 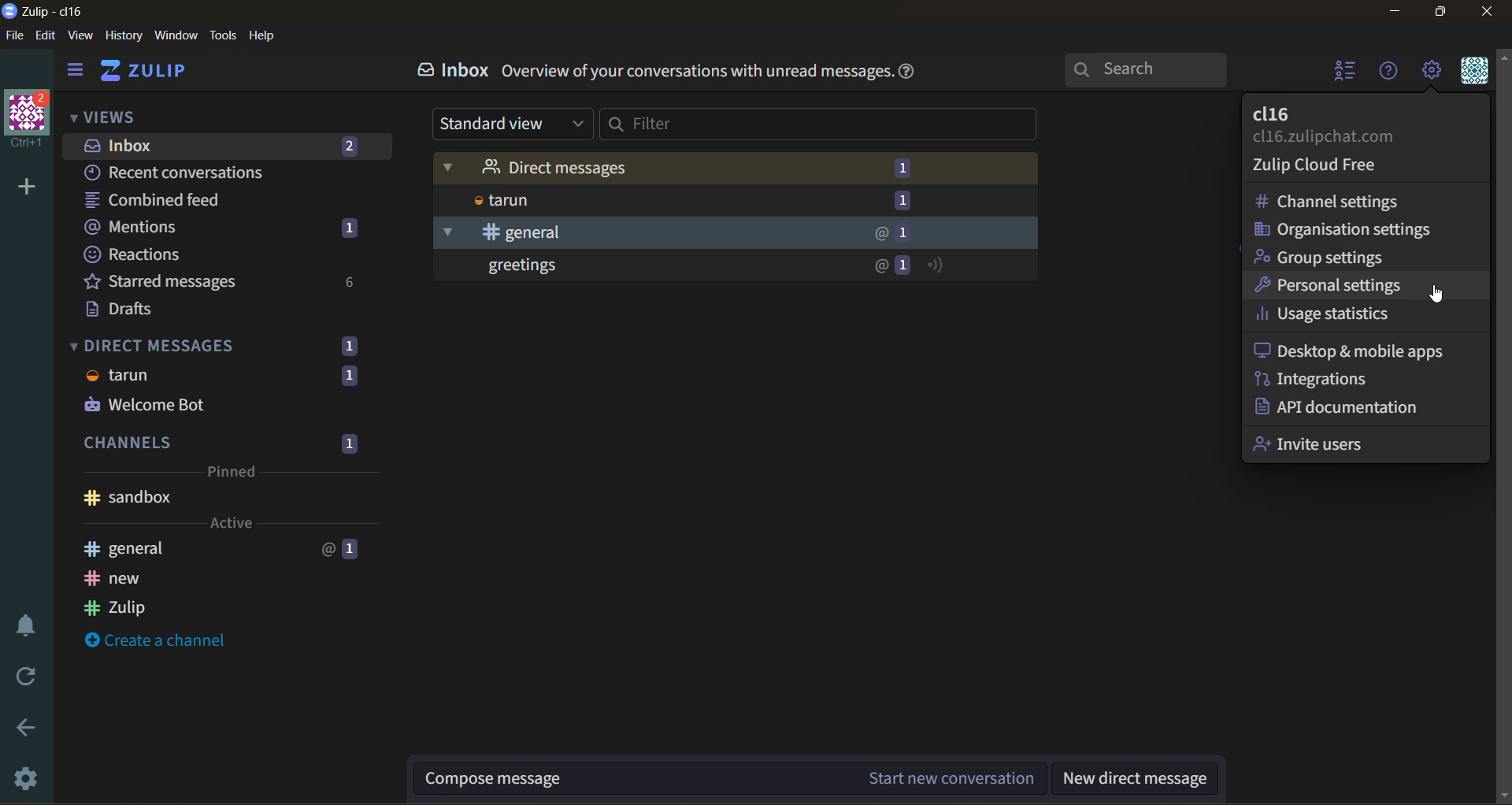 I want to click on create a channel, so click(x=169, y=644).